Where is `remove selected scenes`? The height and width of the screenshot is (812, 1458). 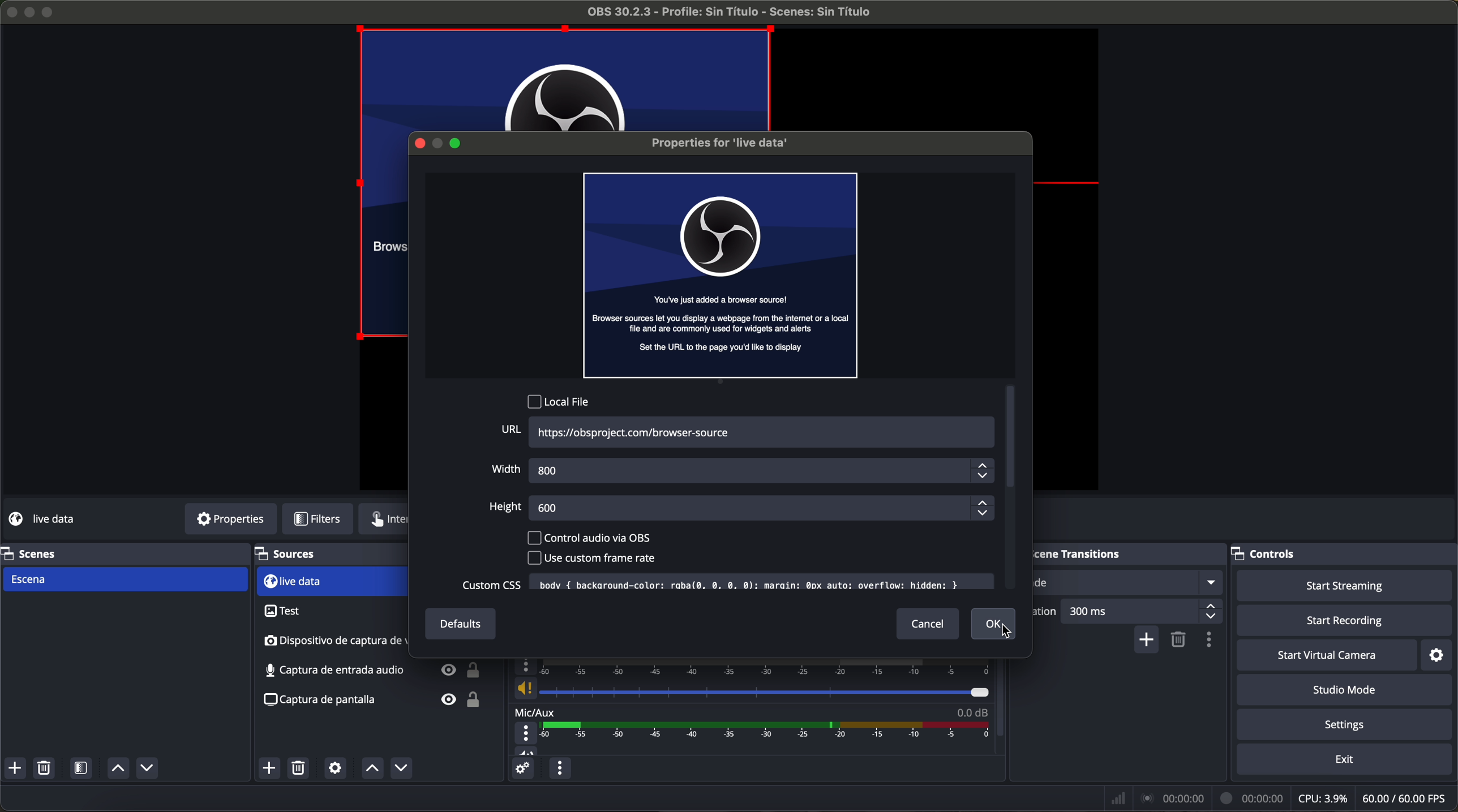
remove selected scenes is located at coordinates (44, 768).